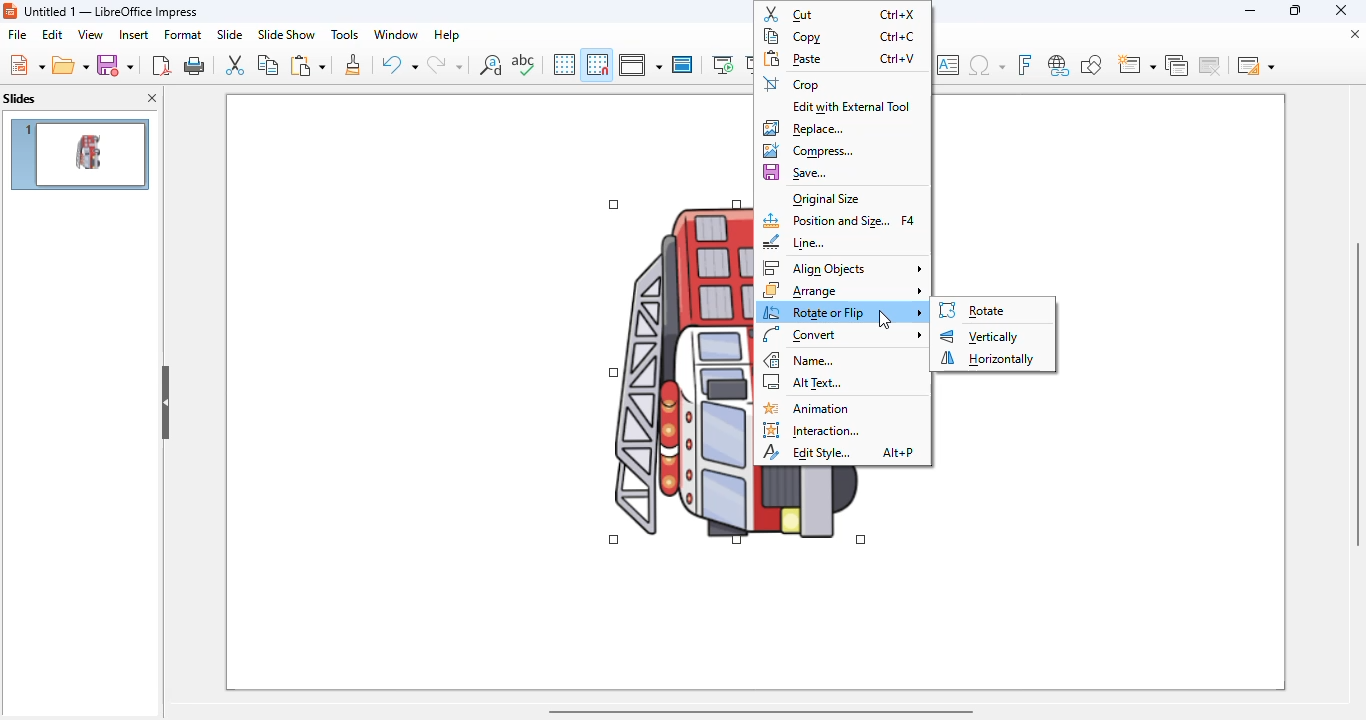  Describe the element at coordinates (947, 65) in the screenshot. I see `insert text box` at that location.